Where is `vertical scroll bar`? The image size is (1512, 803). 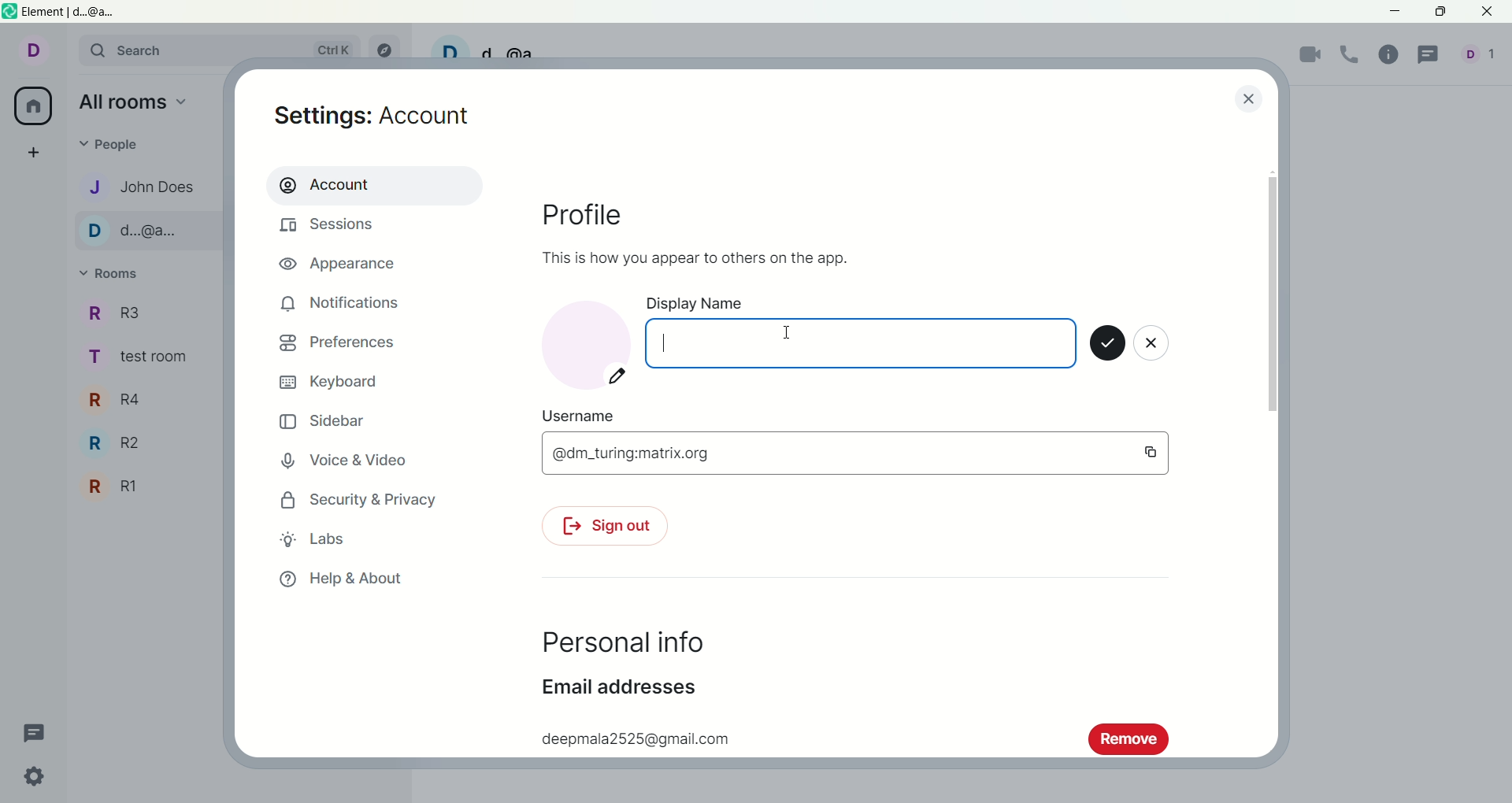 vertical scroll bar is located at coordinates (1274, 455).